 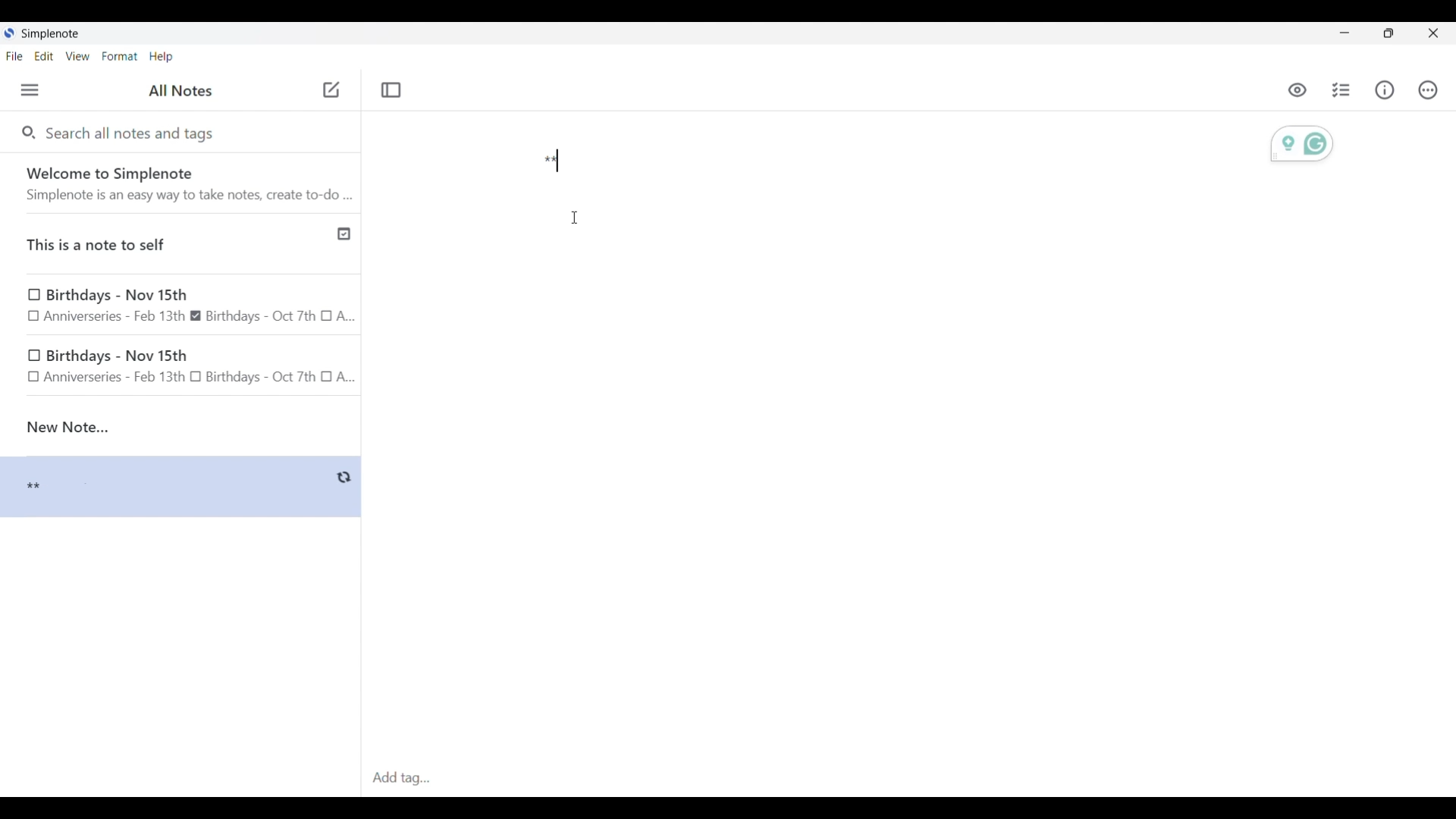 What do you see at coordinates (1303, 143) in the screenshot?
I see `Grammarly extension activated` at bounding box center [1303, 143].